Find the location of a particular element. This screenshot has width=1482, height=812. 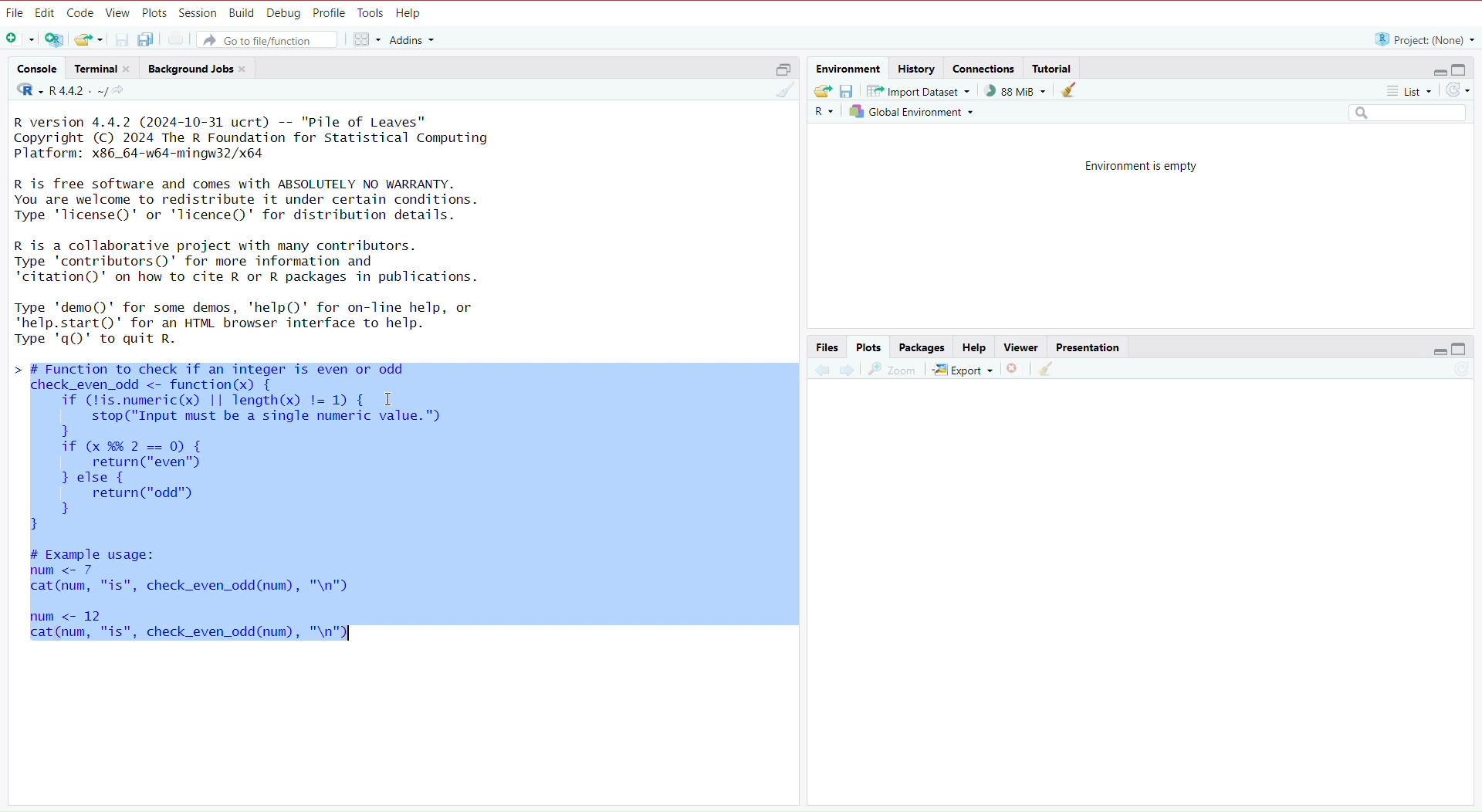

connections is located at coordinates (985, 70).